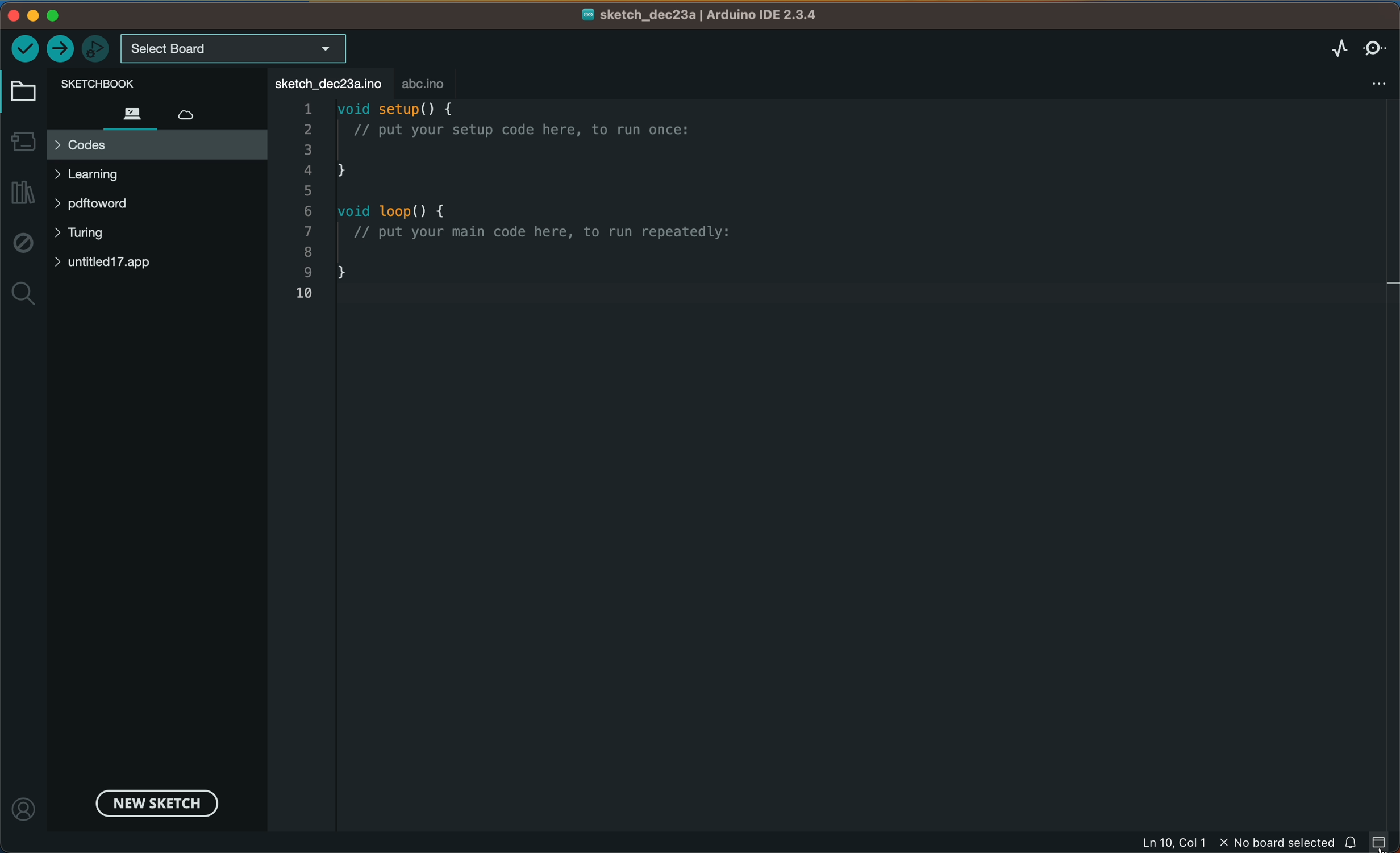  What do you see at coordinates (188, 116) in the screenshot?
I see `icloud` at bounding box center [188, 116].